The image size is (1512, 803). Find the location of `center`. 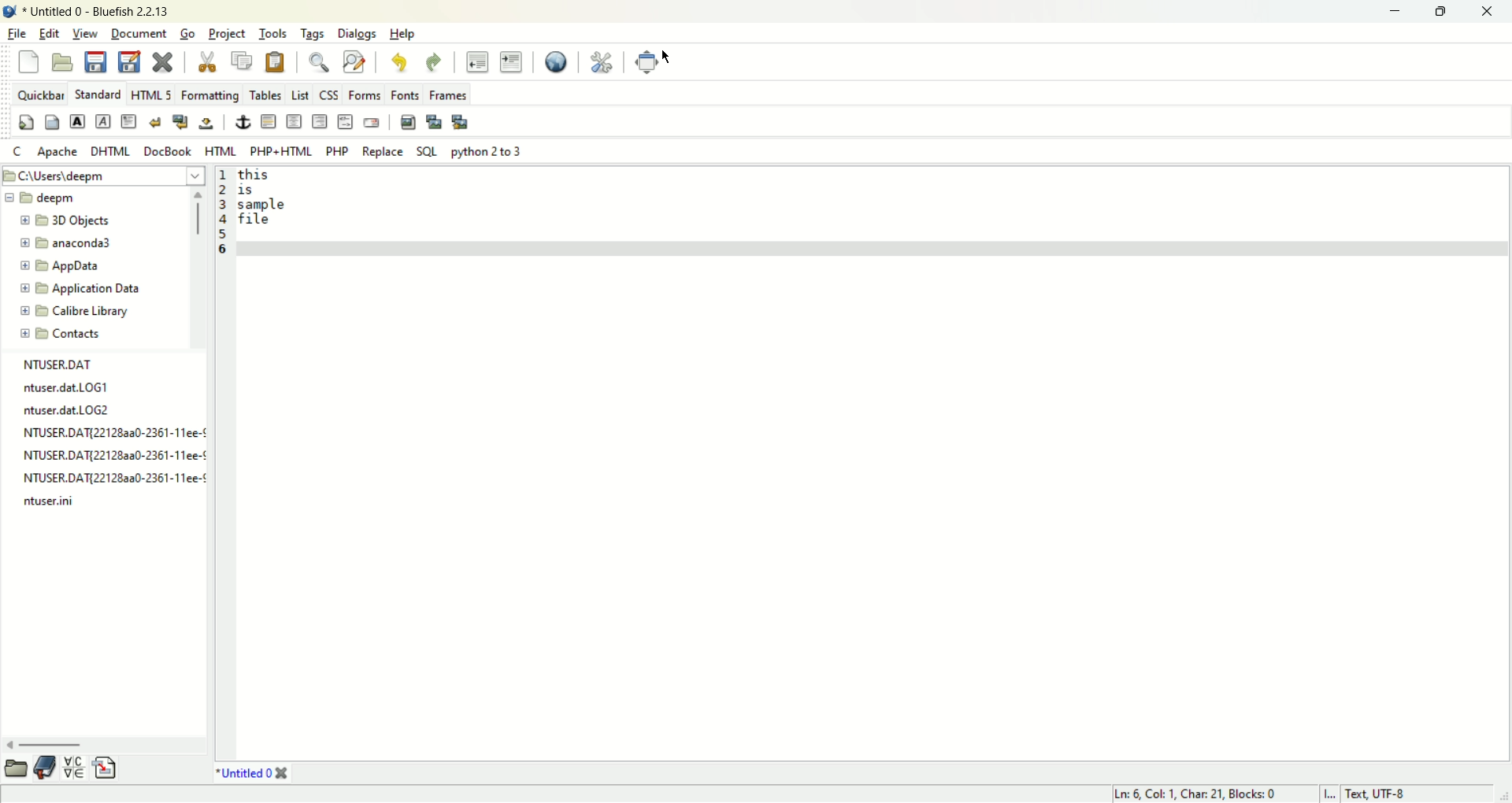

center is located at coordinates (293, 120).